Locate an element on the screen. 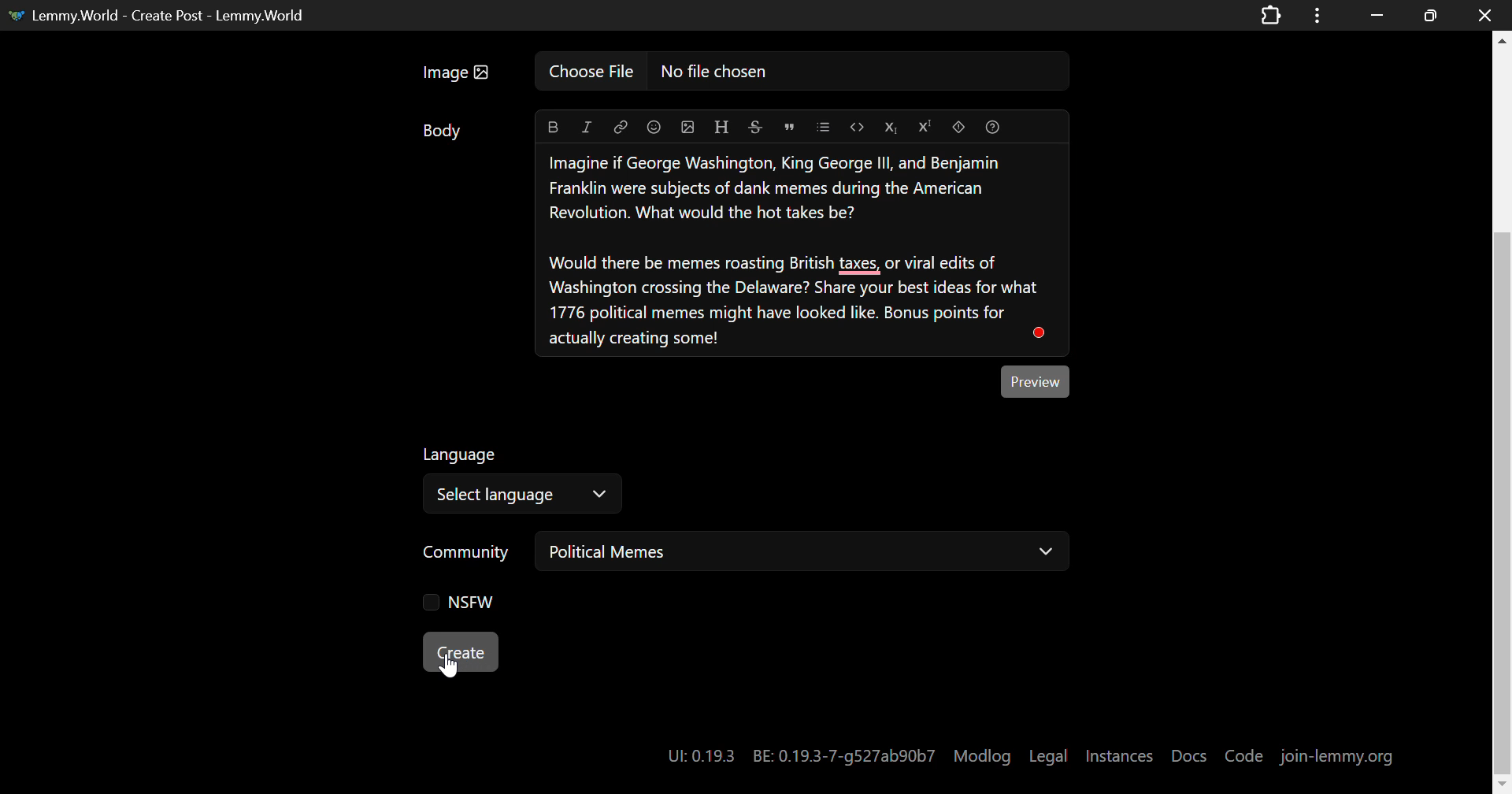 The height and width of the screenshot is (794, 1512). Instances is located at coordinates (1121, 756).